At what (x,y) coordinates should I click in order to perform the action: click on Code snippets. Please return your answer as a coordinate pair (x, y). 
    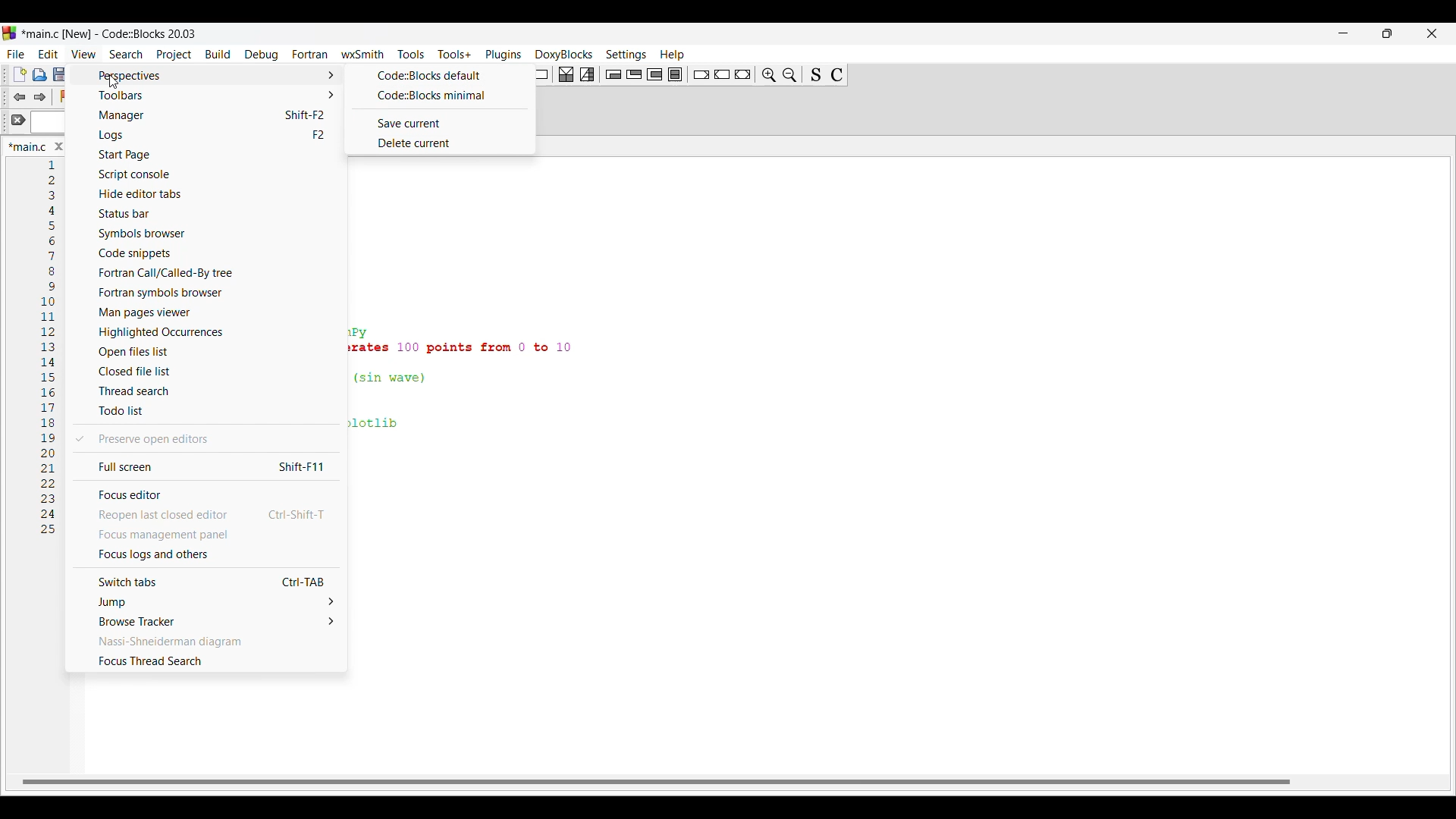
    Looking at the image, I should click on (209, 253).